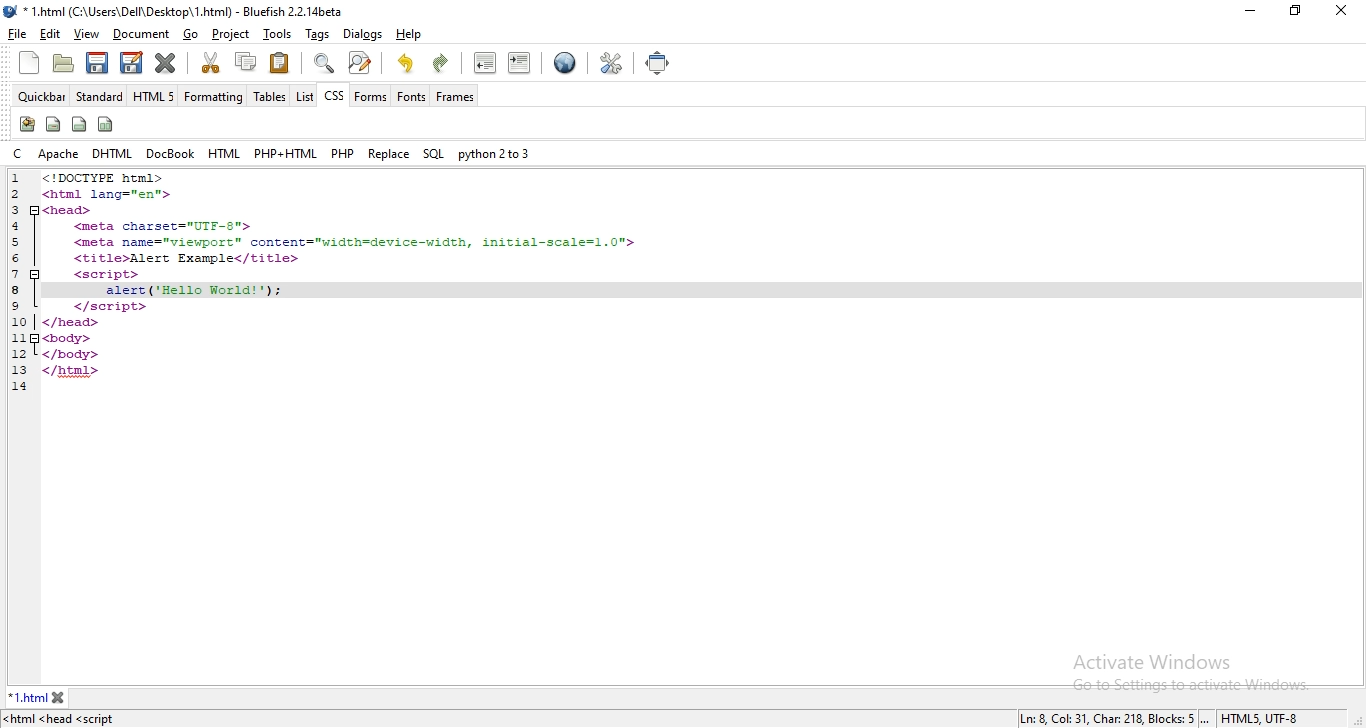 Image resolution: width=1366 pixels, height=728 pixels. I want to click on edit, so click(49, 34).